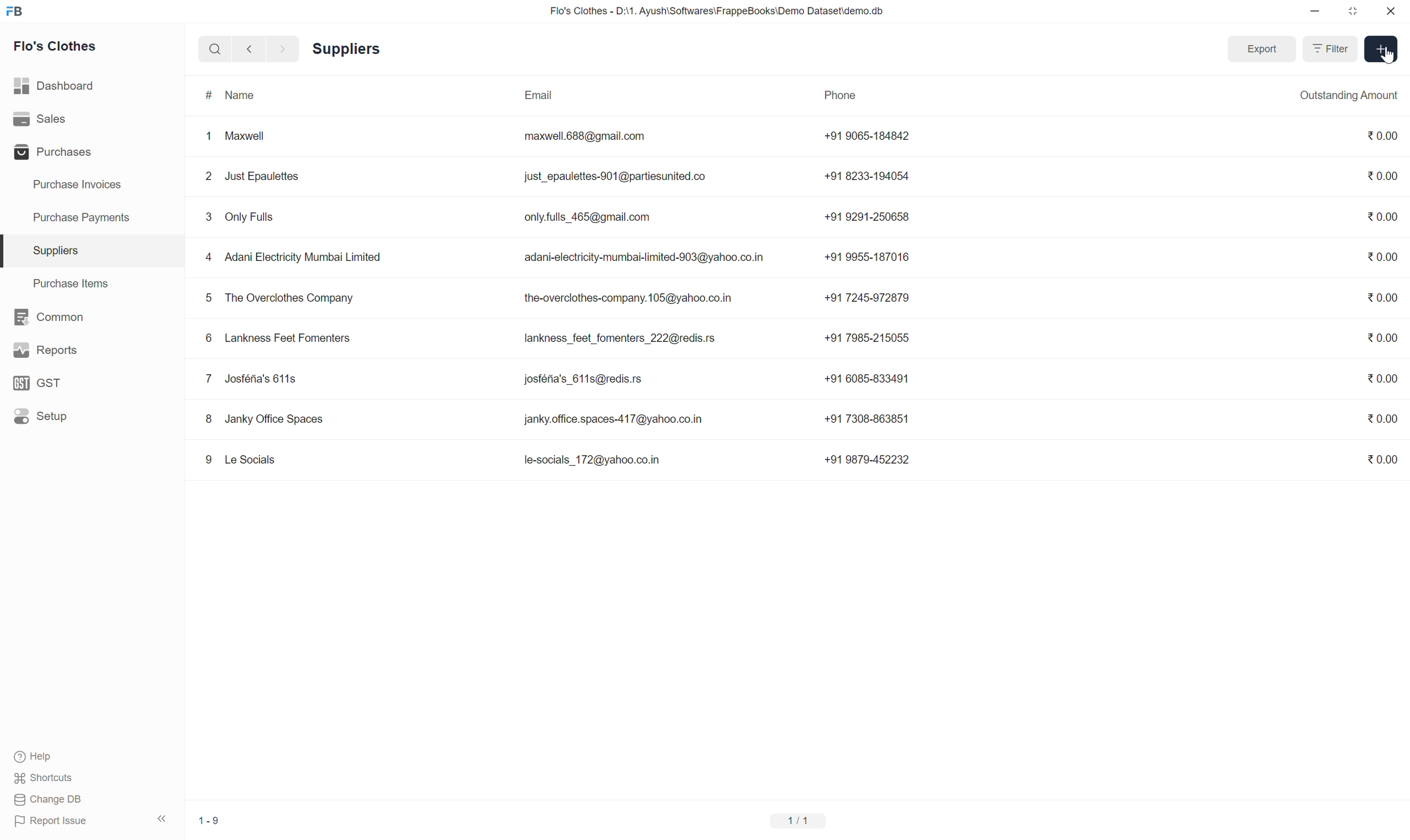 Image resolution: width=1410 pixels, height=840 pixels. What do you see at coordinates (587, 217) in the screenshot?
I see `only.fulls_465@gmail.com` at bounding box center [587, 217].